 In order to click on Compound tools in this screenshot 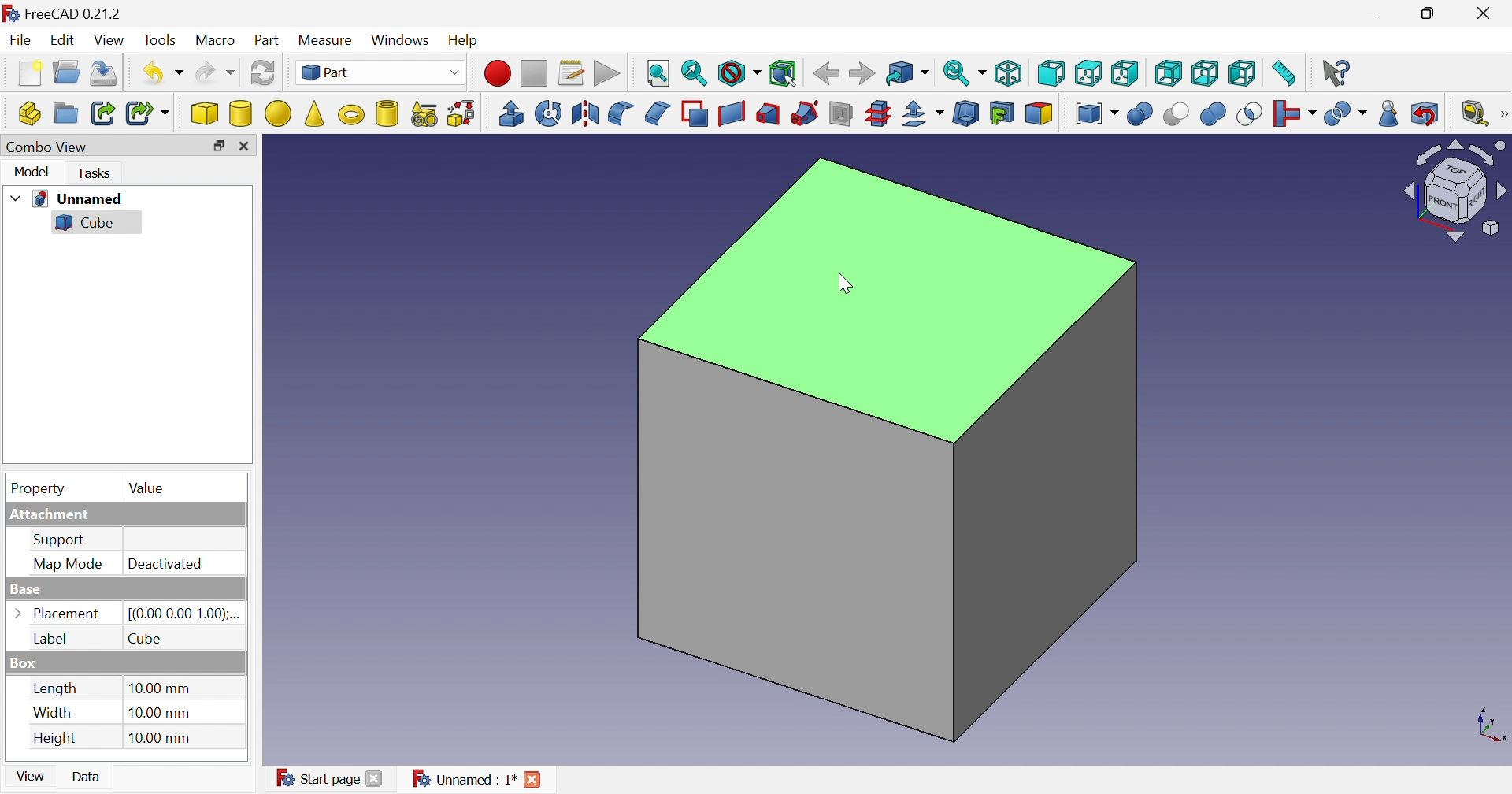, I will do `click(1099, 114)`.